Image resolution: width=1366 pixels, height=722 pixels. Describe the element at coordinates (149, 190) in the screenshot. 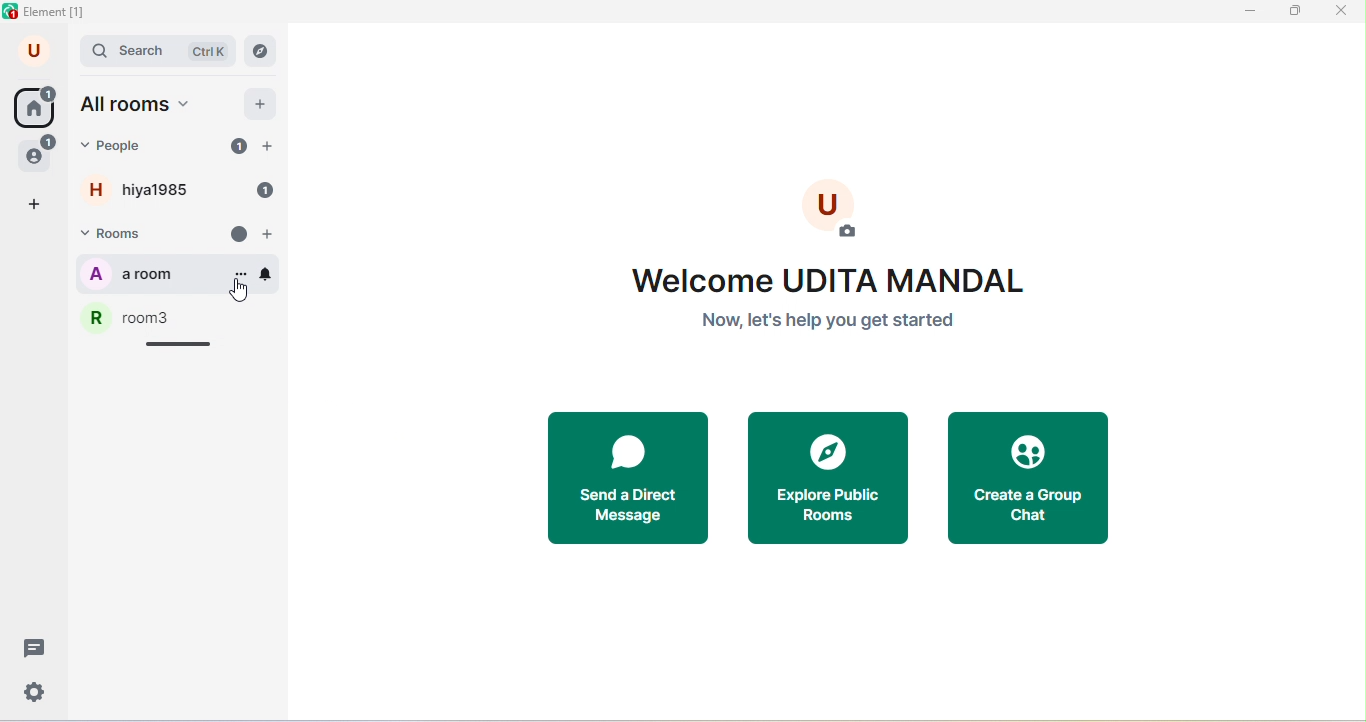

I see `hiya1985` at that location.